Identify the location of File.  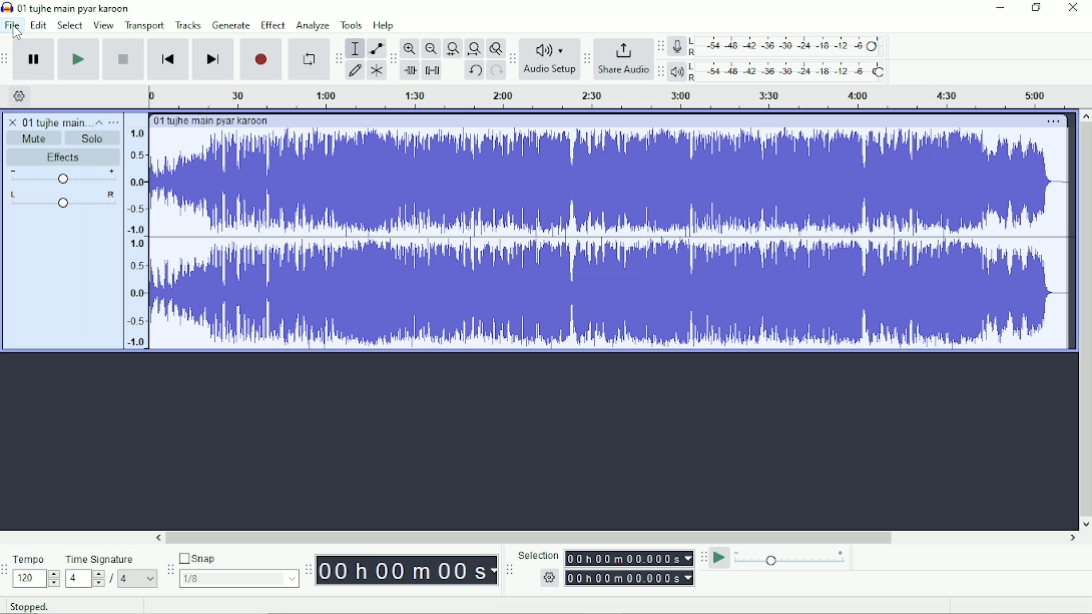
(12, 25).